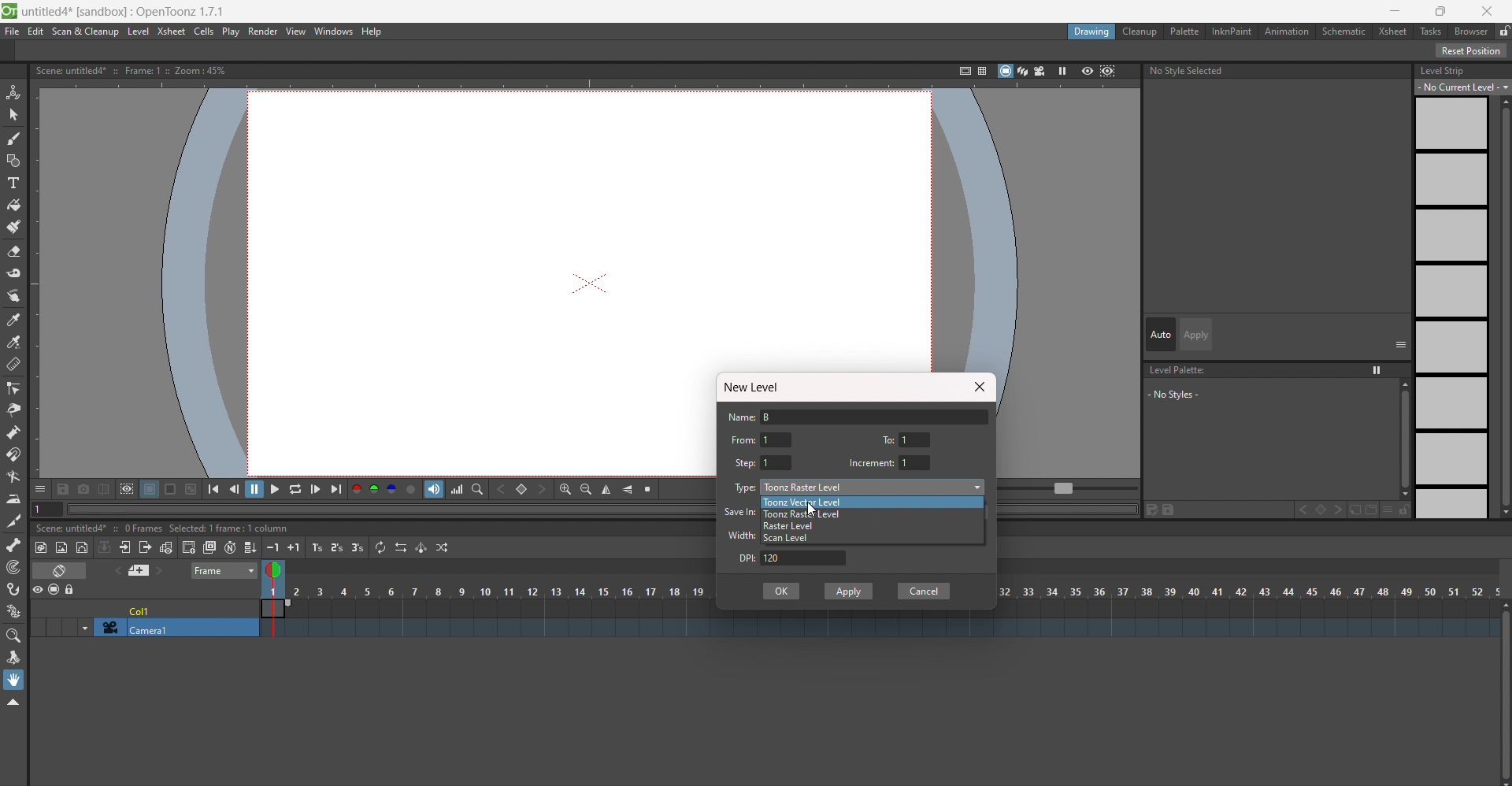 The height and width of the screenshot is (786, 1512). What do you see at coordinates (13, 388) in the screenshot?
I see `control point editor tool` at bounding box center [13, 388].